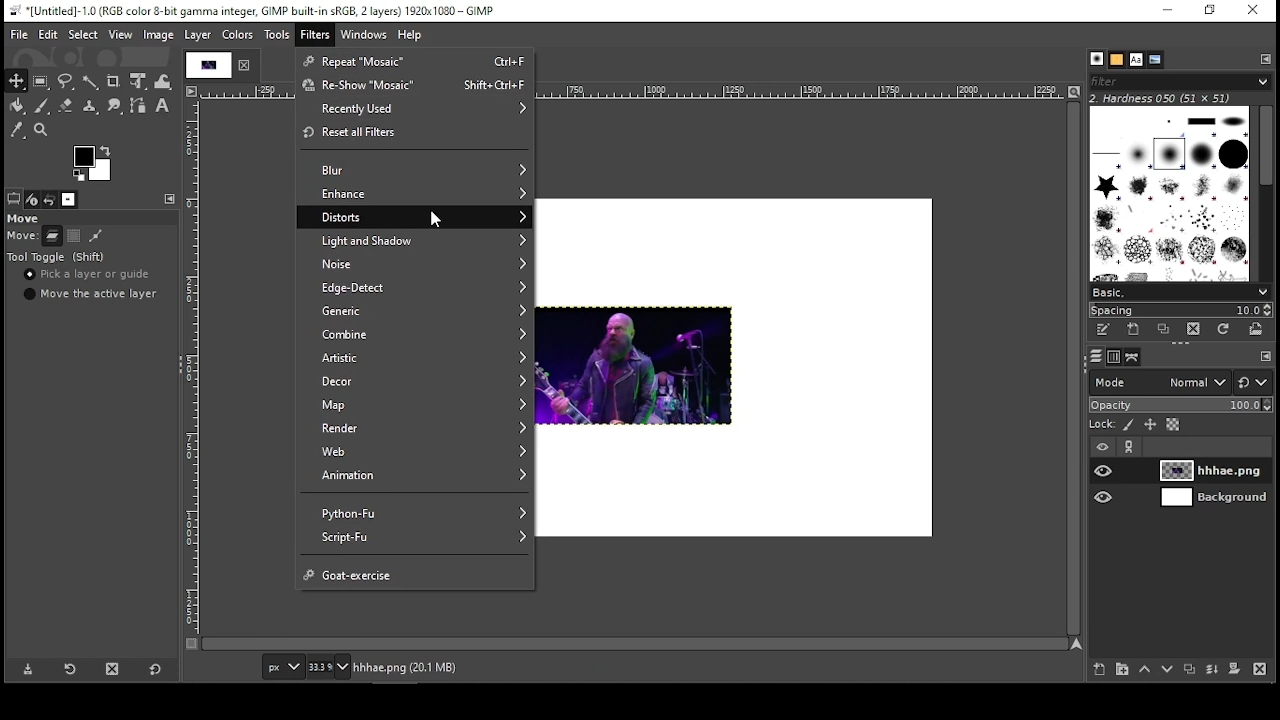  What do you see at coordinates (418, 380) in the screenshot?
I see `decor` at bounding box center [418, 380].